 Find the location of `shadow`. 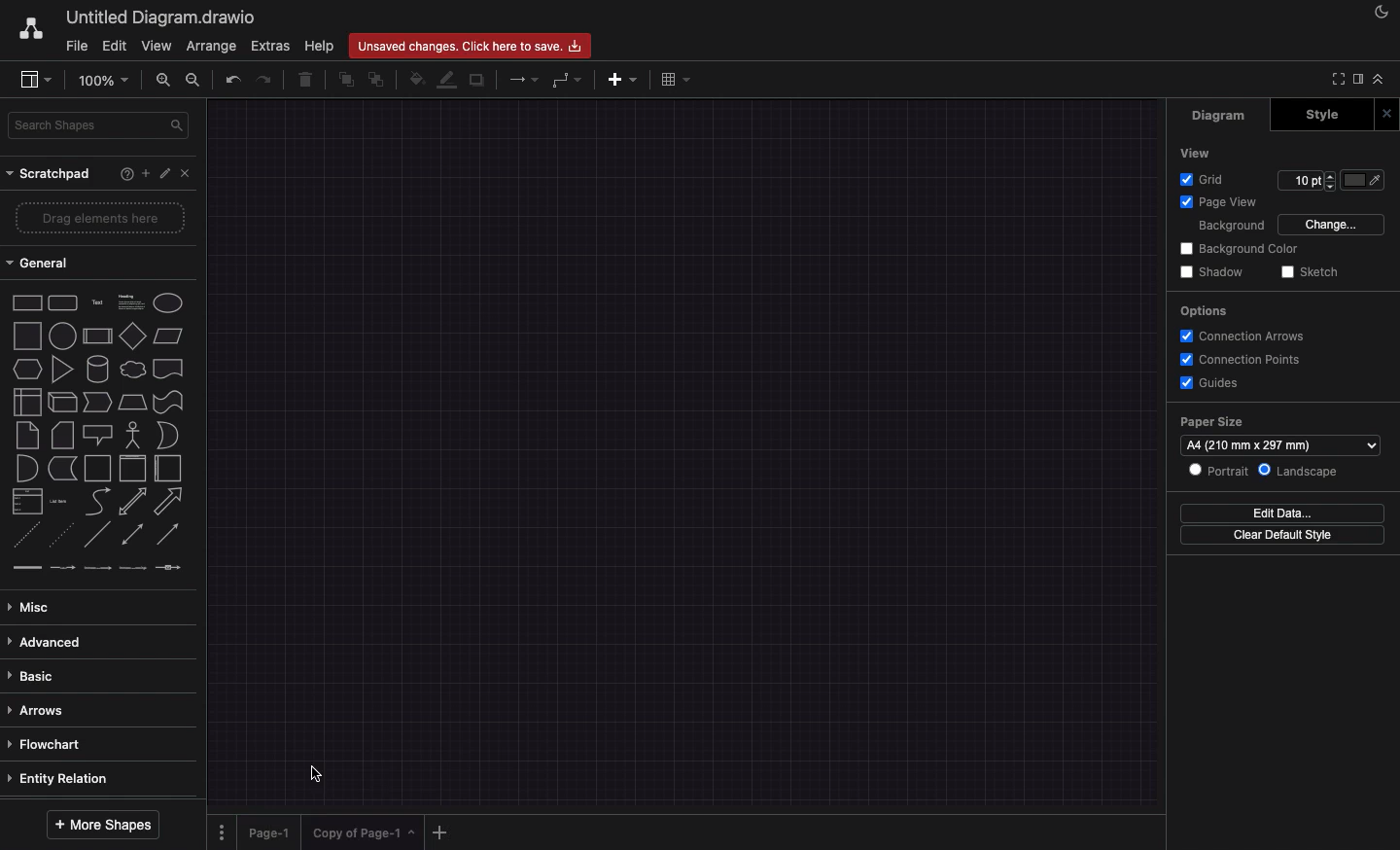

shadow is located at coordinates (1214, 271).